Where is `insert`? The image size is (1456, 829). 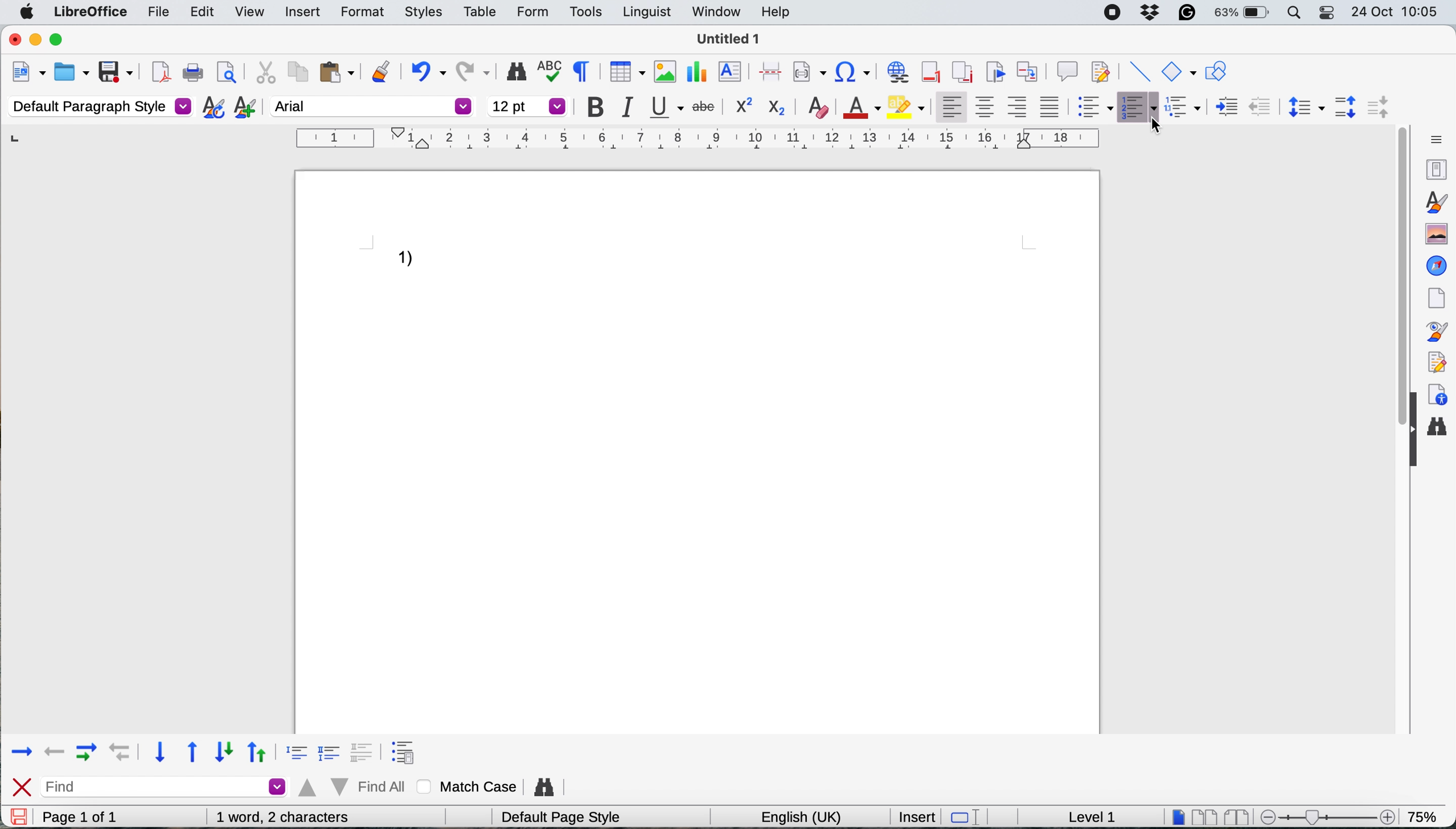
insert is located at coordinates (302, 11).